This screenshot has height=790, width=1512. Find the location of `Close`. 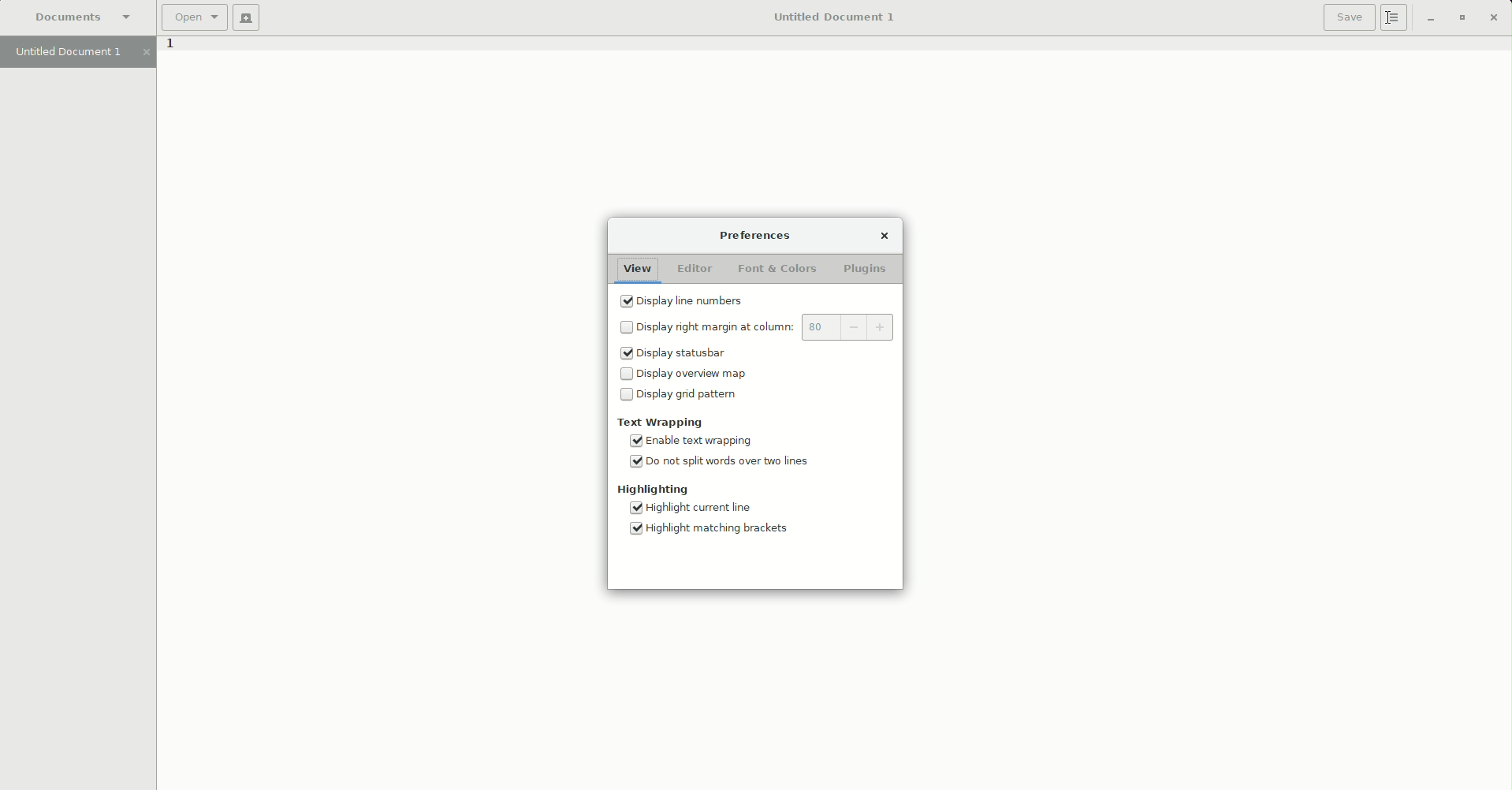

Close is located at coordinates (1492, 17).